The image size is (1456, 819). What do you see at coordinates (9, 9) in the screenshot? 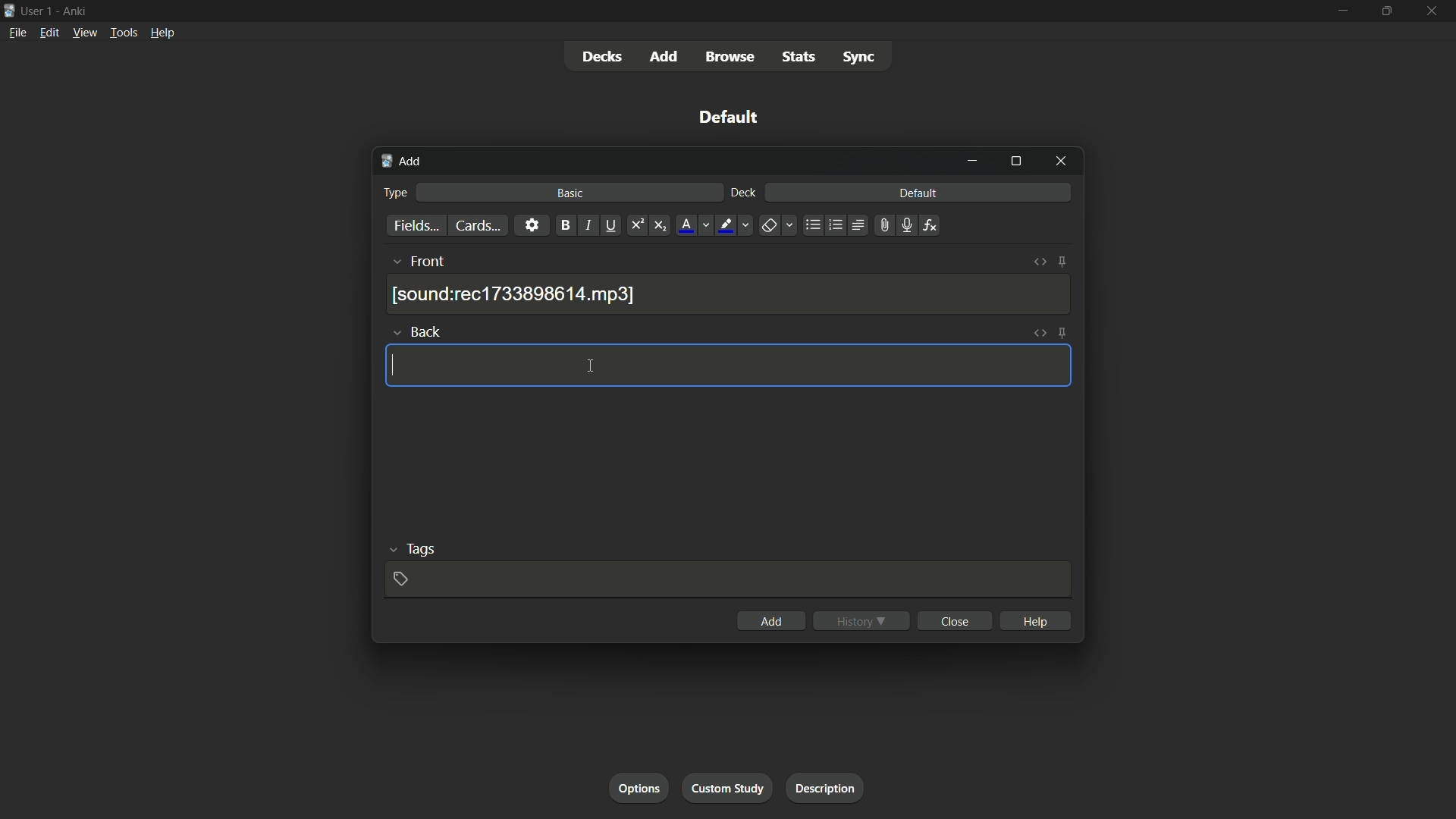
I see `app icon` at bounding box center [9, 9].